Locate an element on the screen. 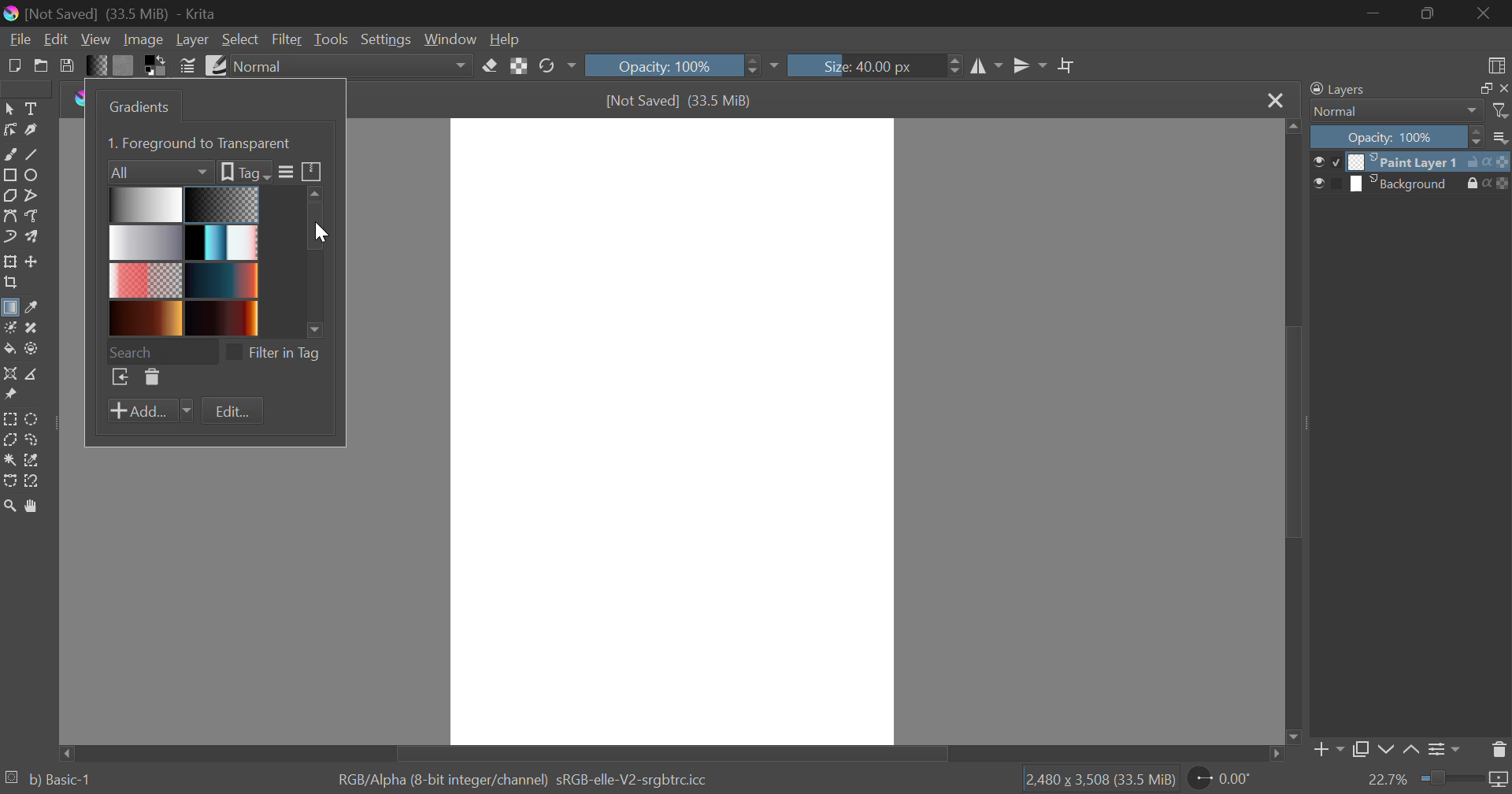  Eraser is located at coordinates (491, 64).